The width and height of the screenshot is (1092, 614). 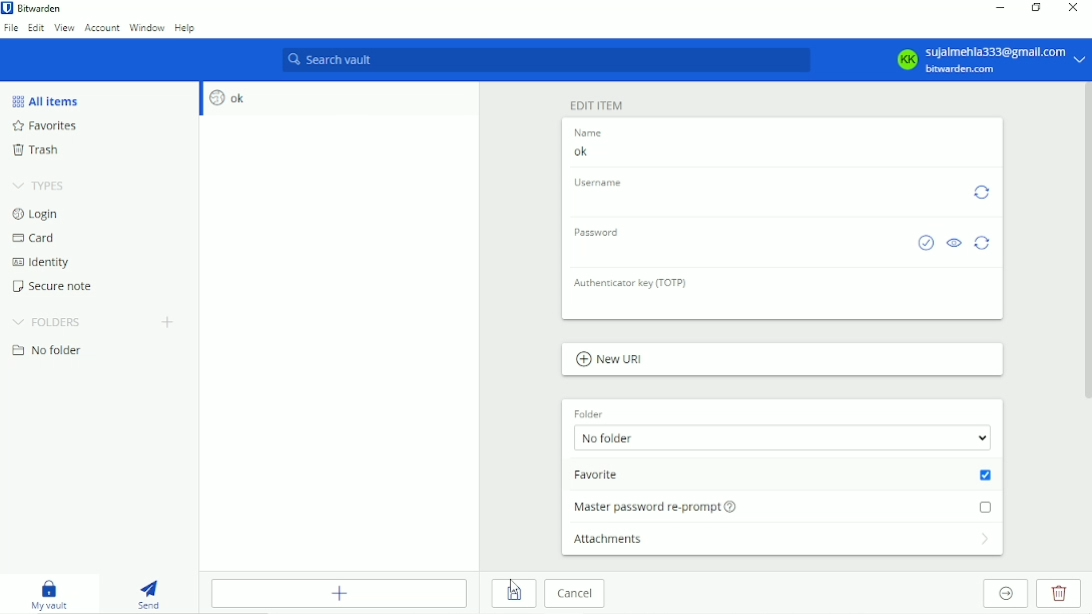 What do you see at coordinates (169, 323) in the screenshot?
I see `Create folder` at bounding box center [169, 323].